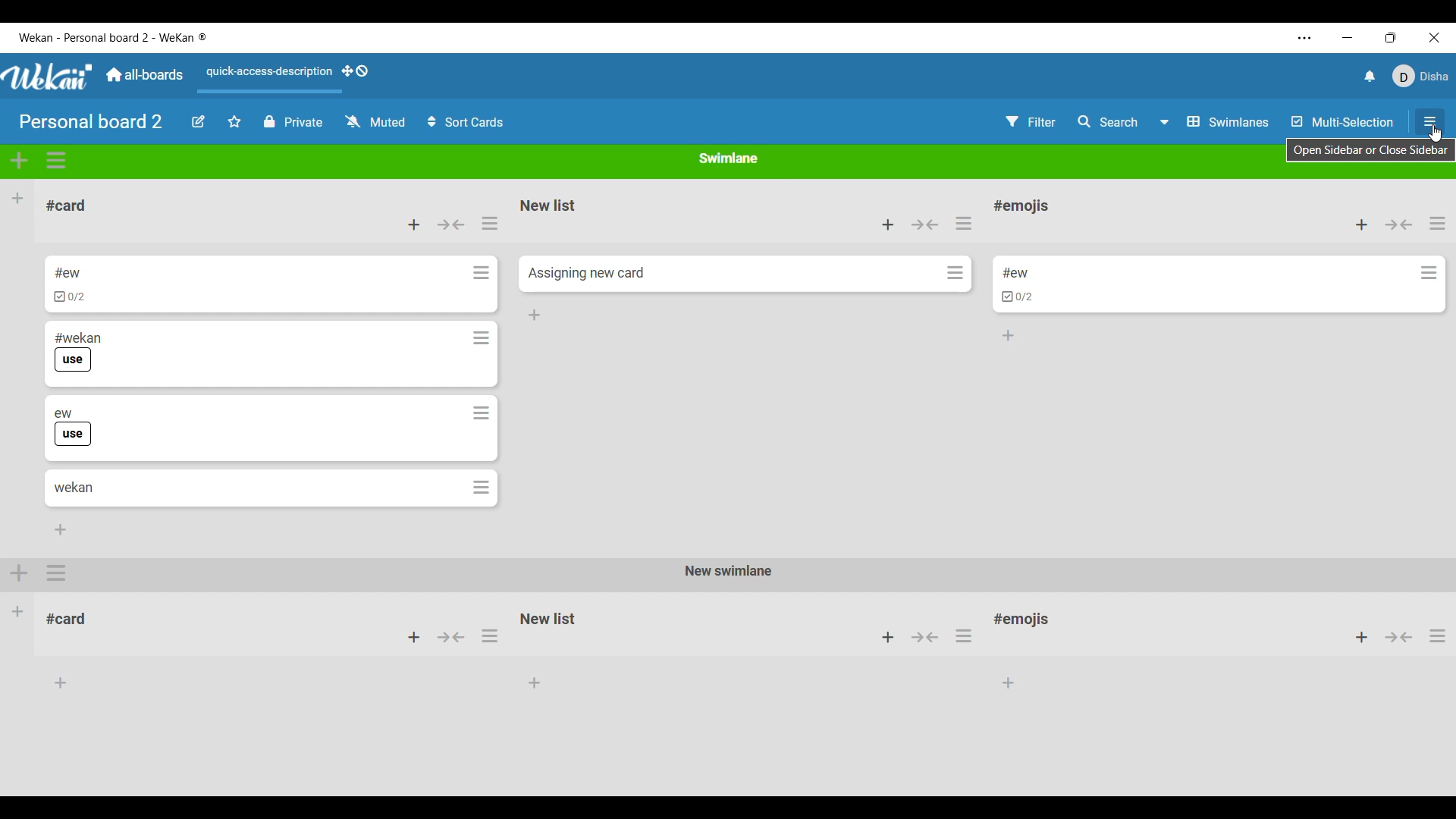 The width and height of the screenshot is (1456, 819). What do you see at coordinates (1421, 77) in the screenshot?
I see `Current account` at bounding box center [1421, 77].